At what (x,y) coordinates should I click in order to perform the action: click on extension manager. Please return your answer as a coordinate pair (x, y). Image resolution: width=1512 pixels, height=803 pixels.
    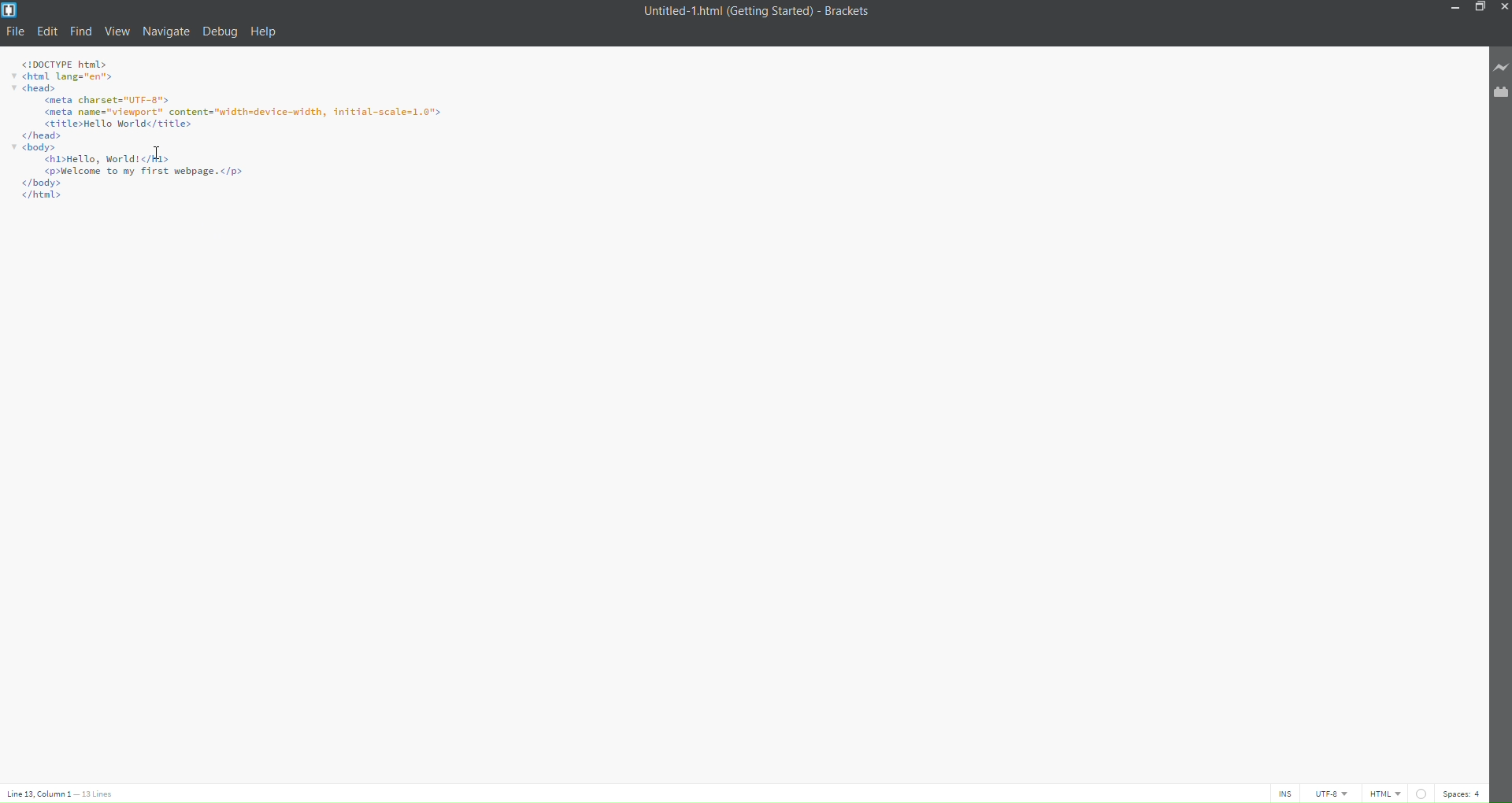
    Looking at the image, I should click on (1497, 92).